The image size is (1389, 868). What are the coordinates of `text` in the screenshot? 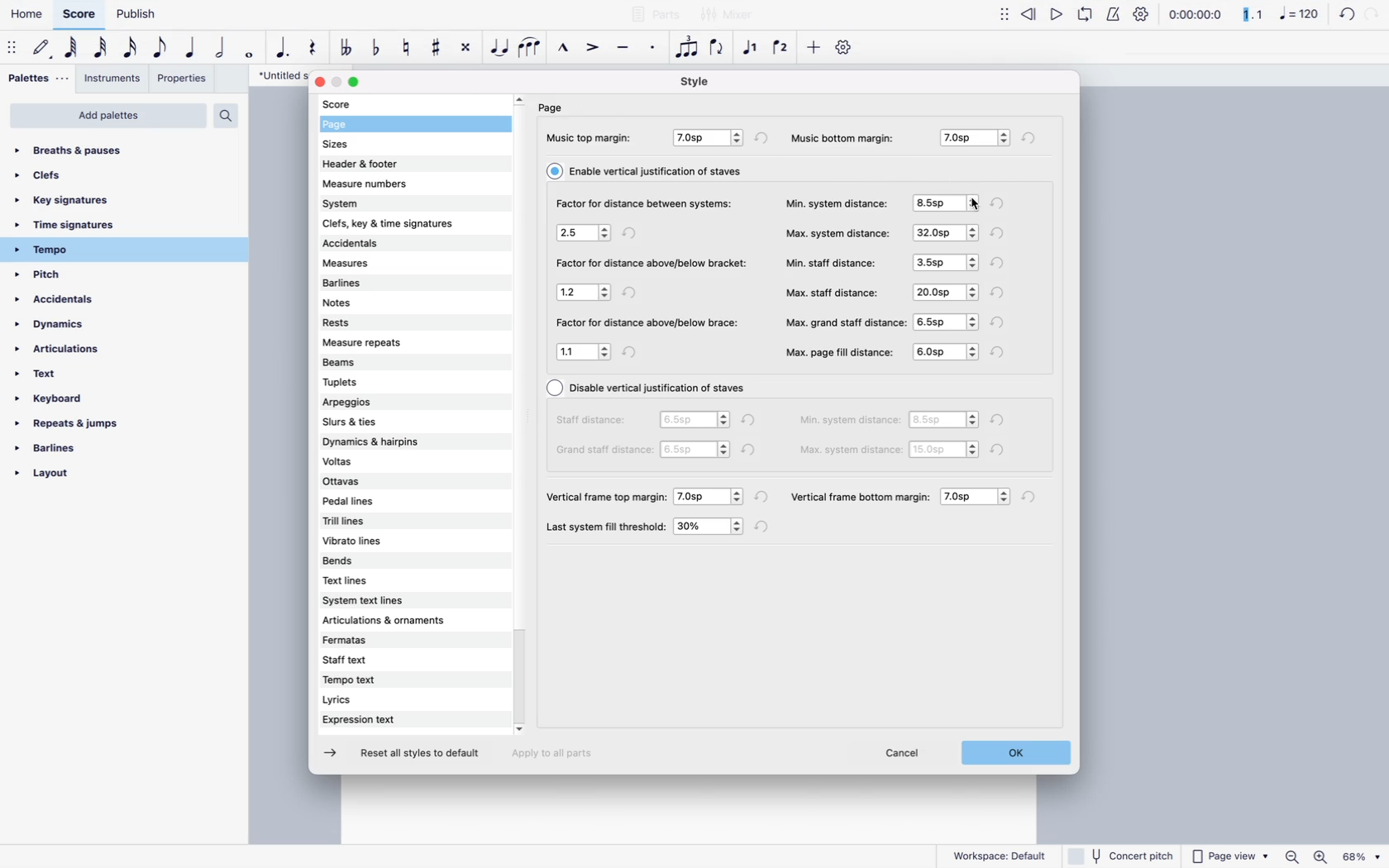 It's located at (53, 379).